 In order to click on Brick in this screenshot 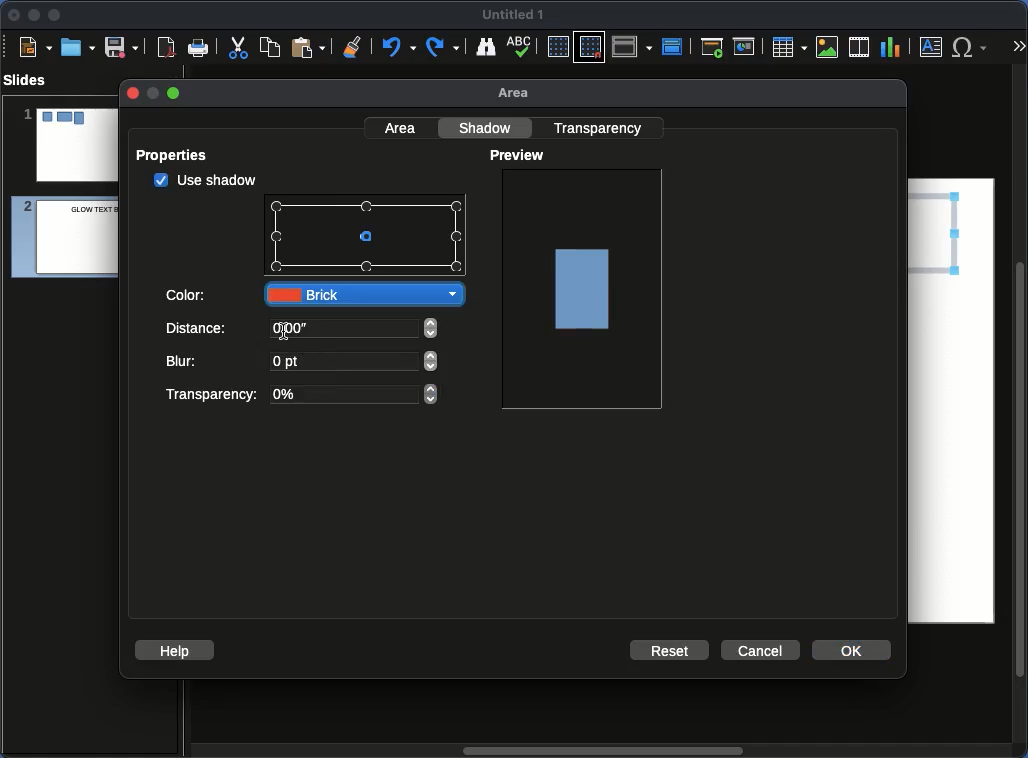, I will do `click(364, 294)`.